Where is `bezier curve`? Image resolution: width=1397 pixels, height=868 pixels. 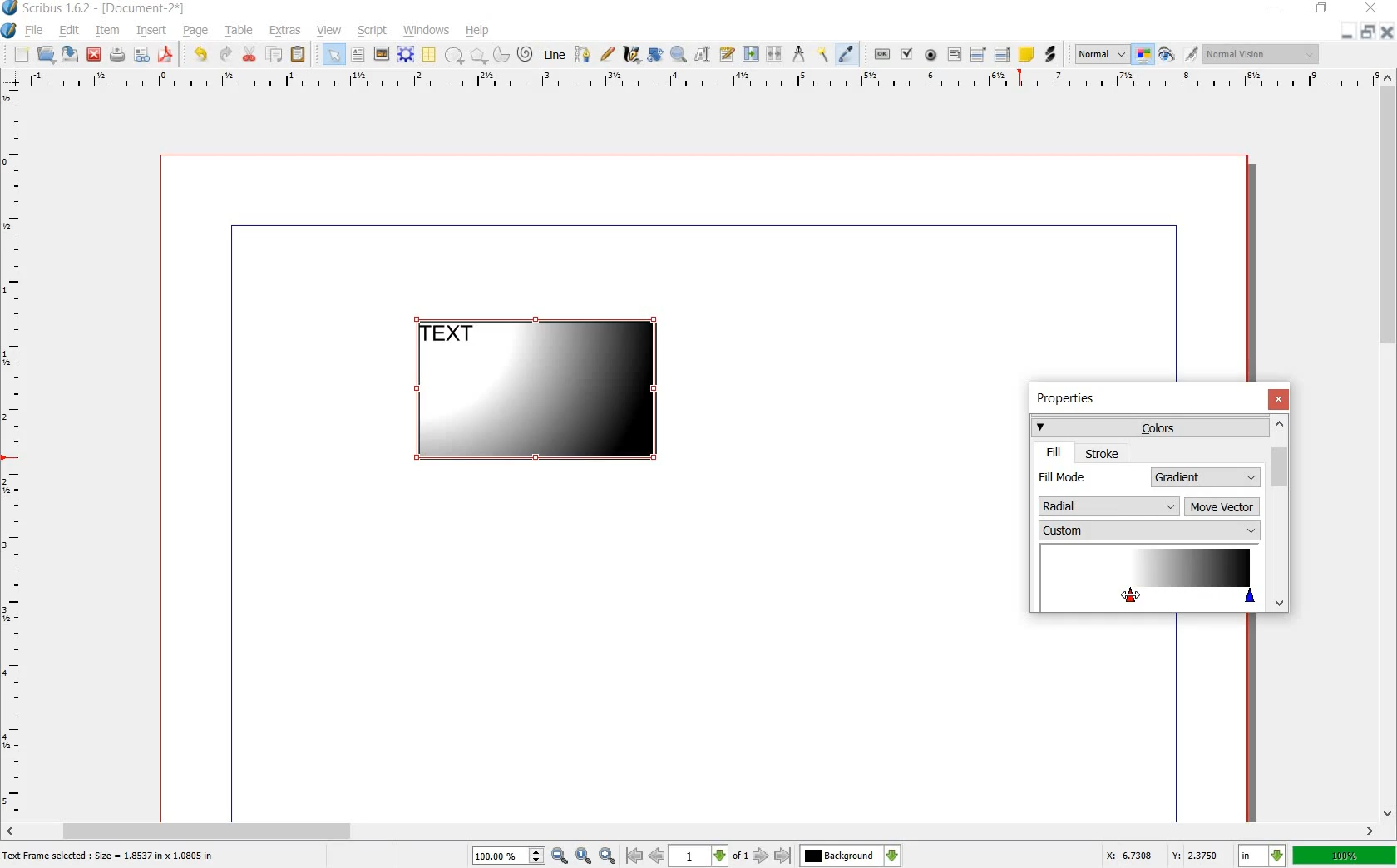 bezier curve is located at coordinates (584, 56).